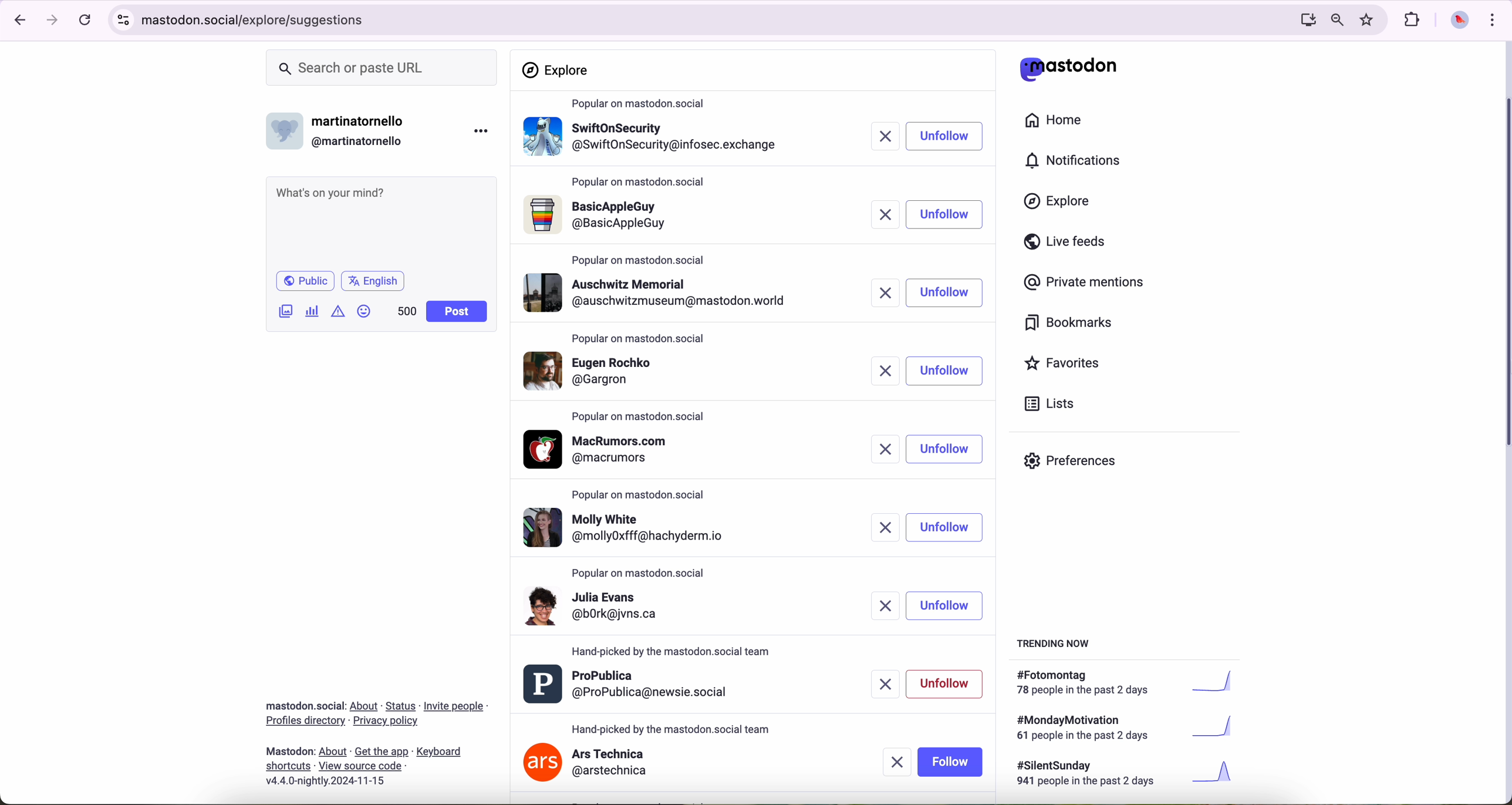 The image size is (1512, 805). I want to click on follow, so click(943, 215).